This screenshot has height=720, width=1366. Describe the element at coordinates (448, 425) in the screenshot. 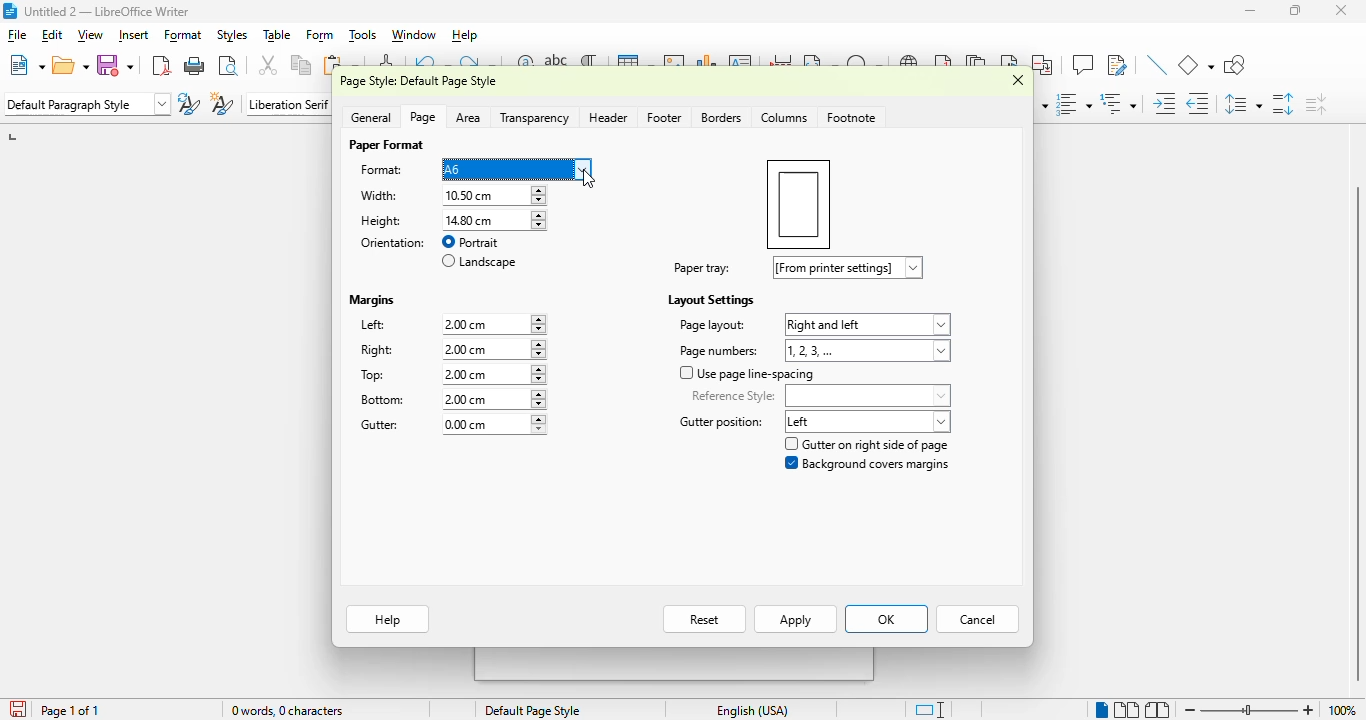

I see `gutter: 0.00 cm` at that location.